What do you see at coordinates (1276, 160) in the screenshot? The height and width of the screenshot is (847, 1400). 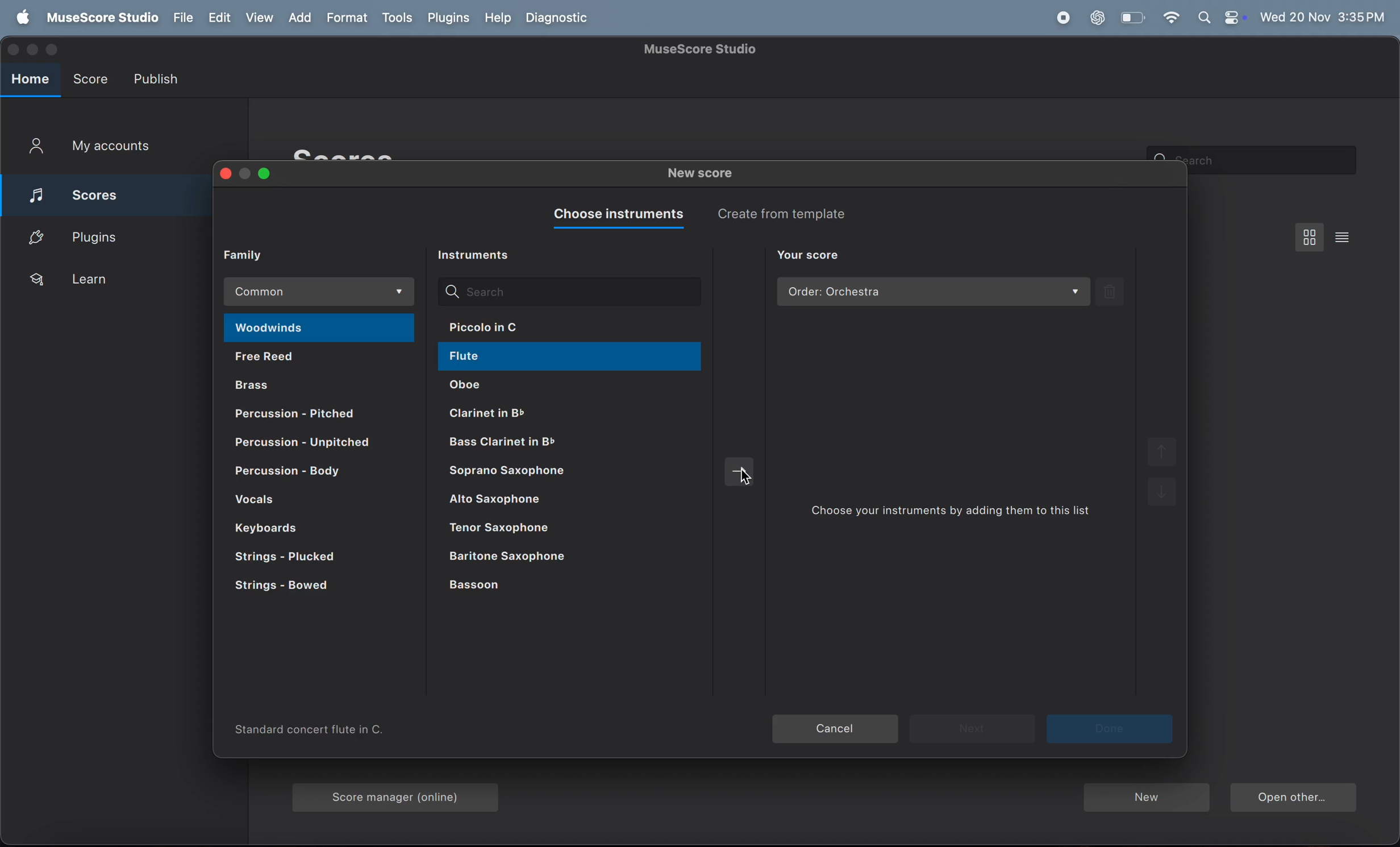 I see `search` at bounding box center [1276, 160].